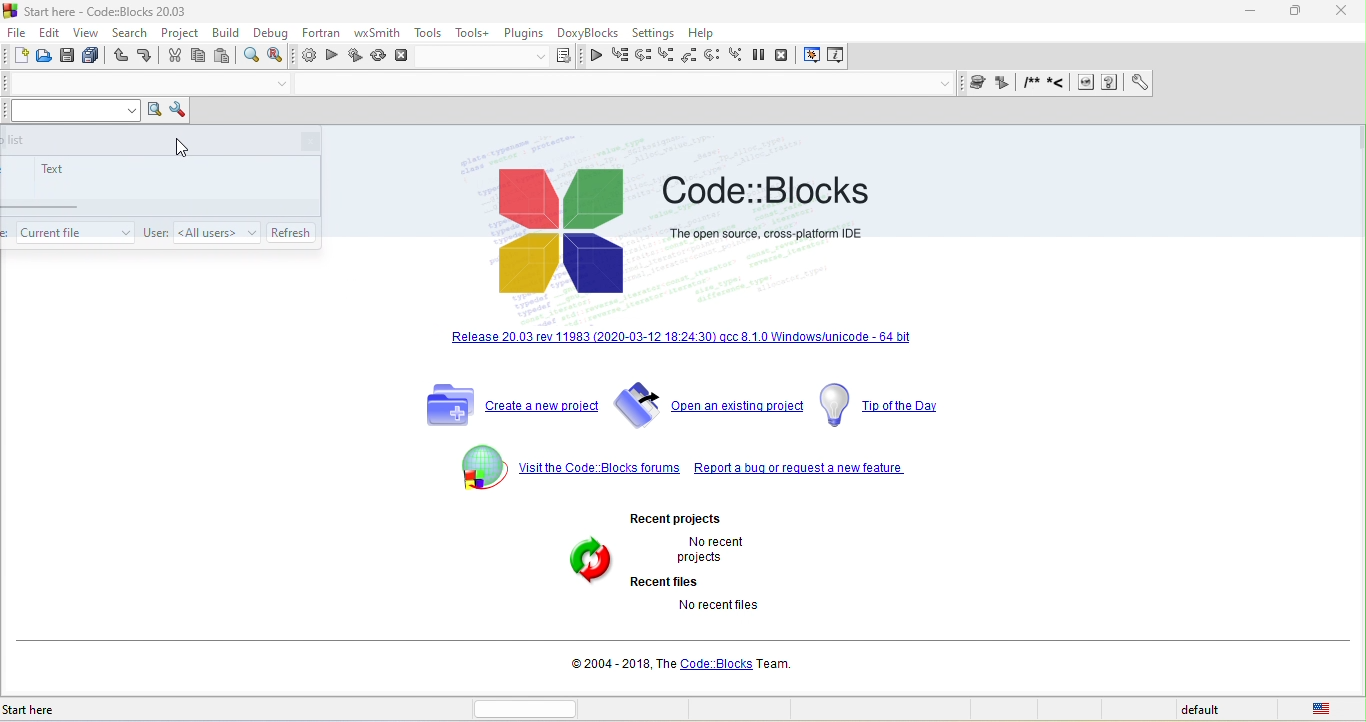 This screenshot has height=722, width=1366. I want to click on recent project and recent files, so click(590, 578).